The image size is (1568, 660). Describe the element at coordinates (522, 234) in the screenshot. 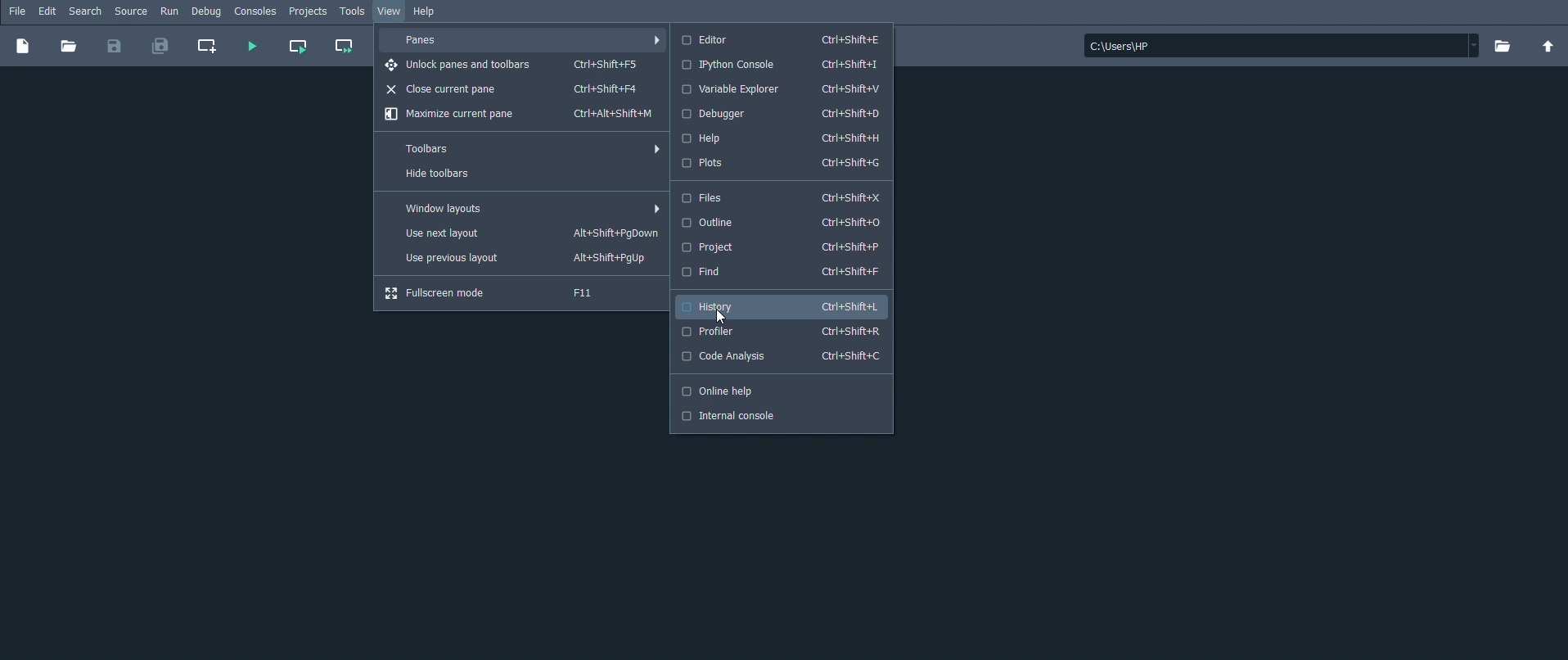

I see `Use next layout` at that location.